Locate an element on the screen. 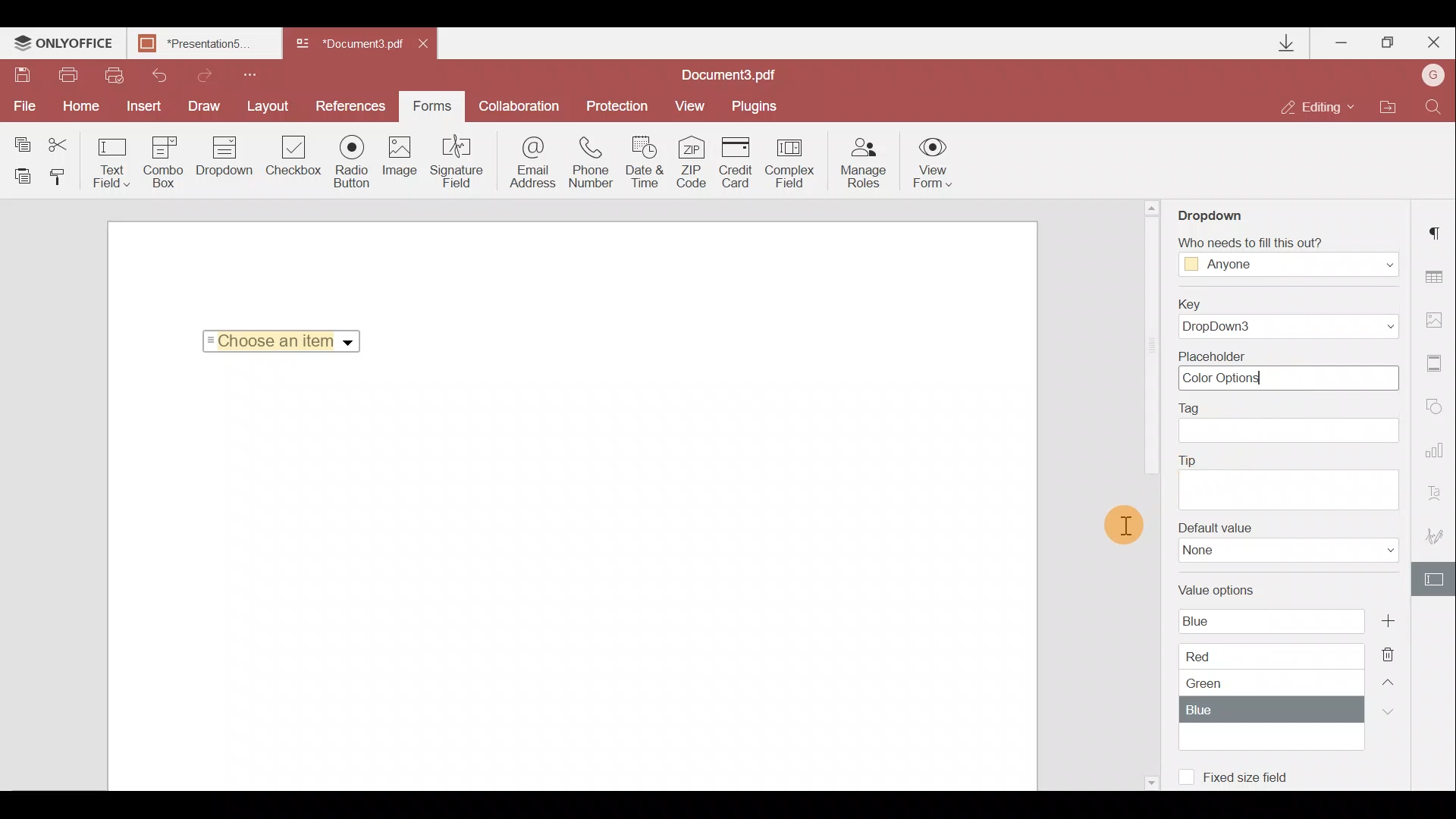 This screenshot has height=819, width=1456. Text Art settings is located at coordinates (1439, 491).